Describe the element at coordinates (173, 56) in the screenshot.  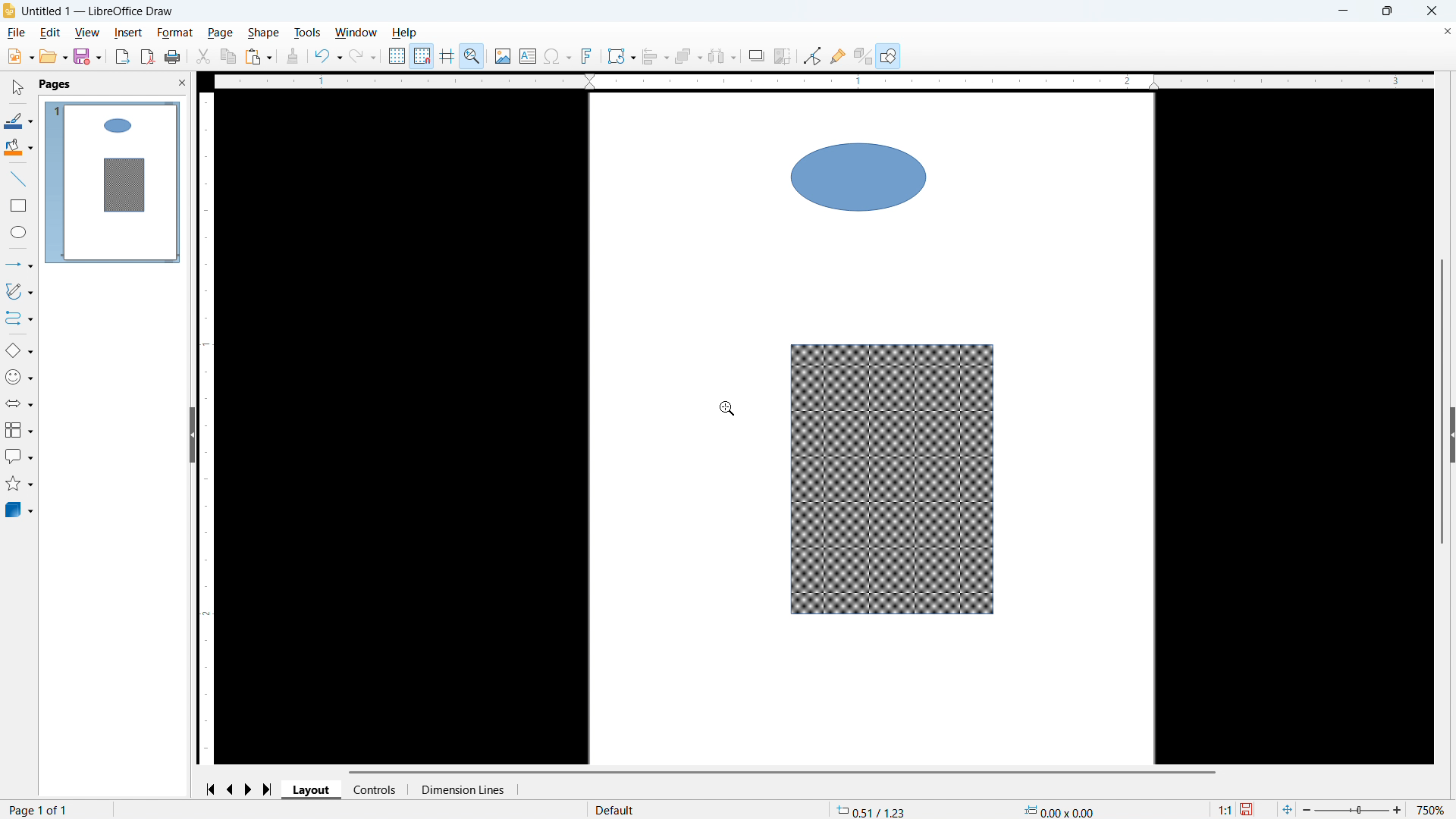
I see `Print ` at that location.